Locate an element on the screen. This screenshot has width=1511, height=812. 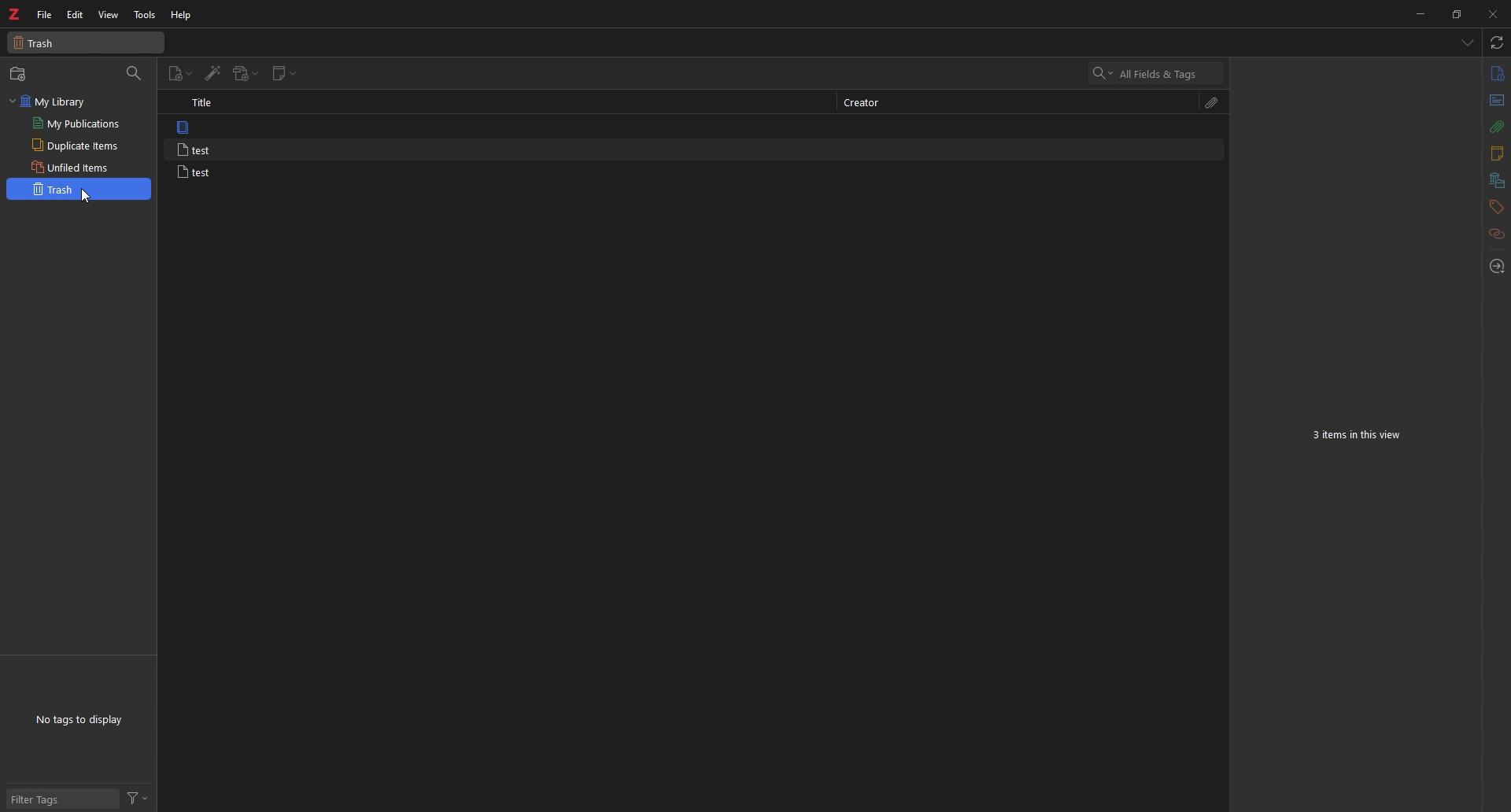
attachments is located at coordinates (1214, 102).